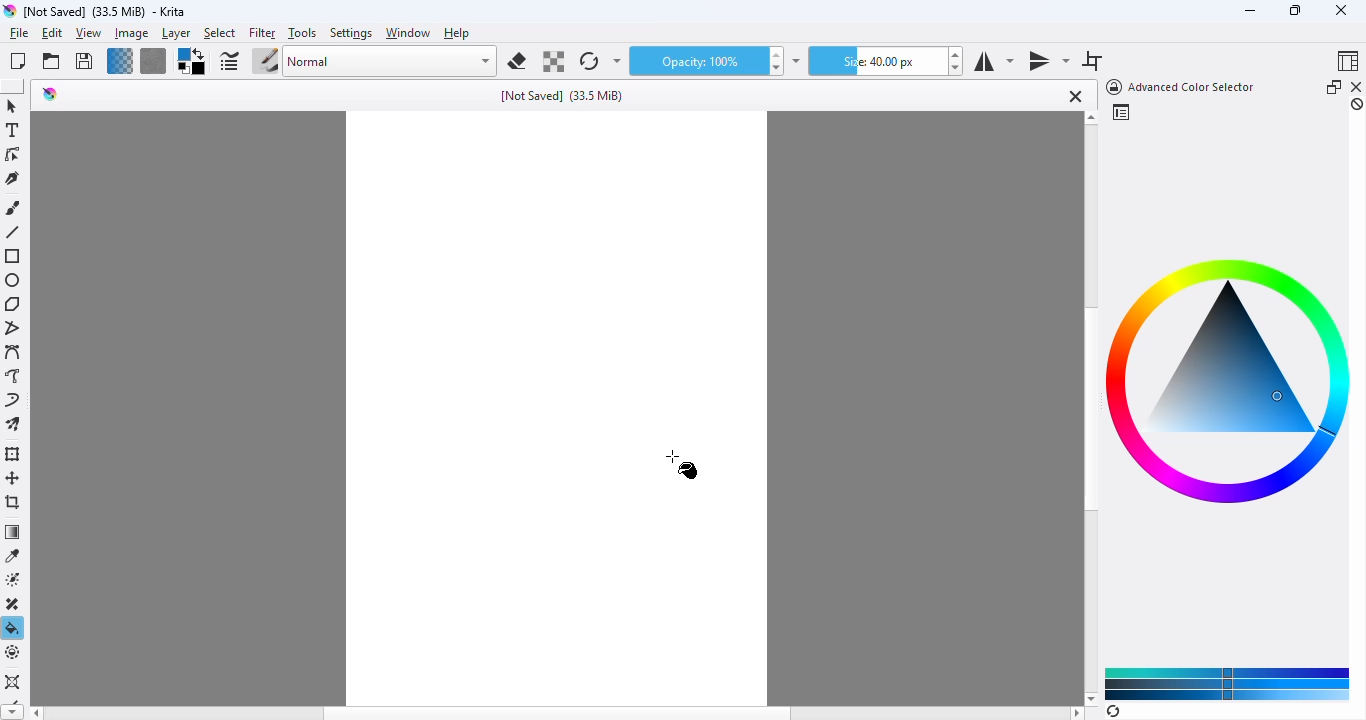 The image size is (1366, 720). What do you see at coordinates (19, 33) in the screenshot?
I see `file` at bounding box center [19, 33].